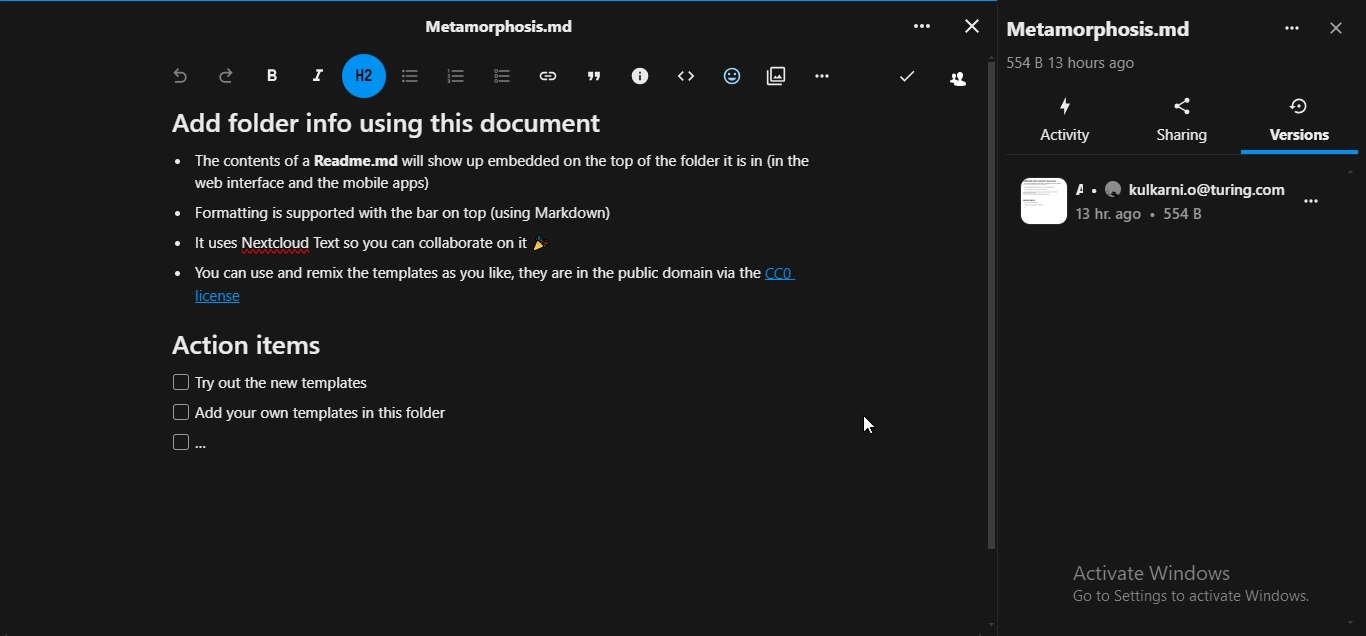 The width and height of the screenshot is (1366, 636). Describe the element at coordinates (1301, 119) in the screenshot. I see `versions` at that location.